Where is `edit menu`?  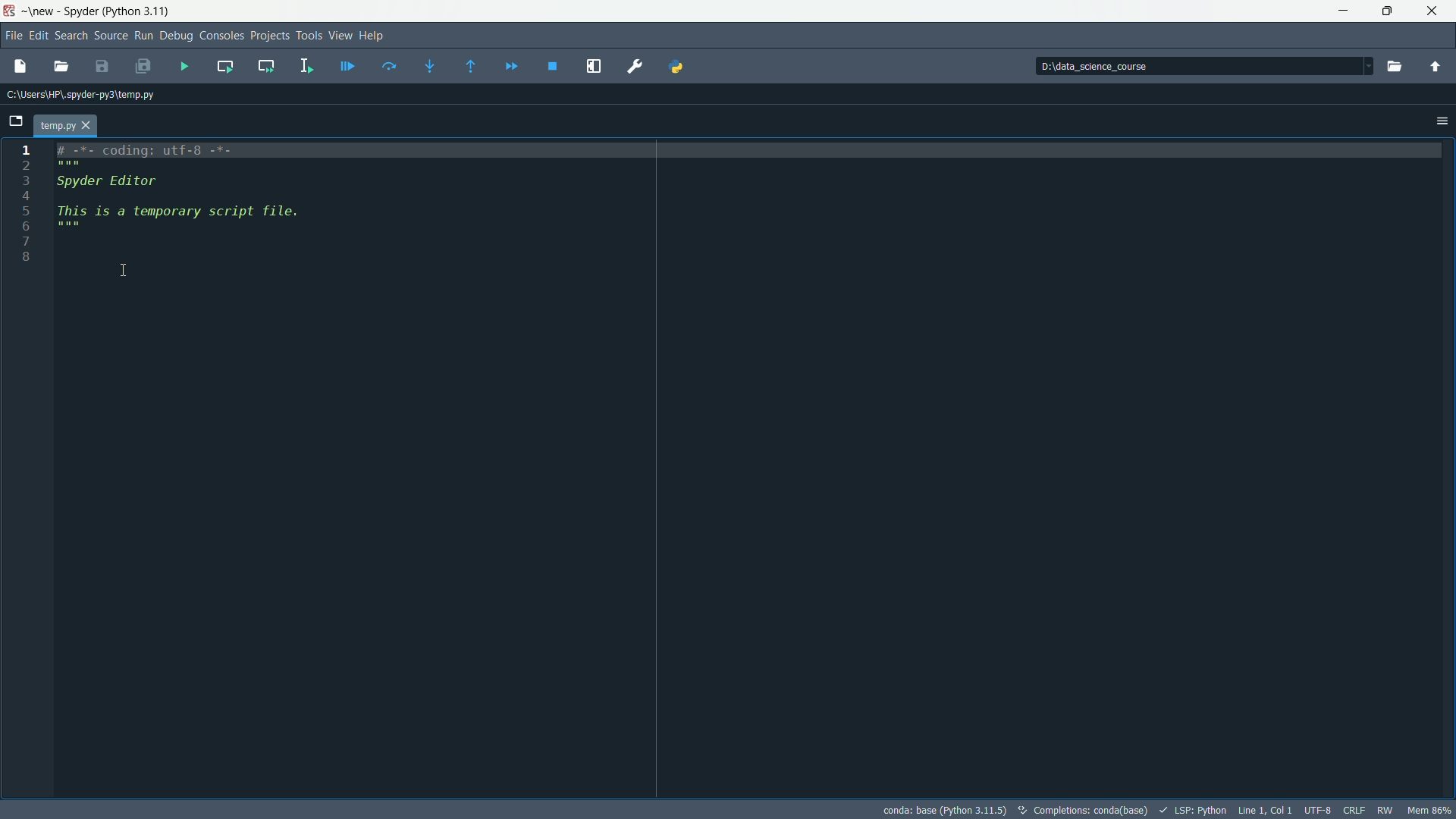
edit menu is located at coordinates (39, 35).